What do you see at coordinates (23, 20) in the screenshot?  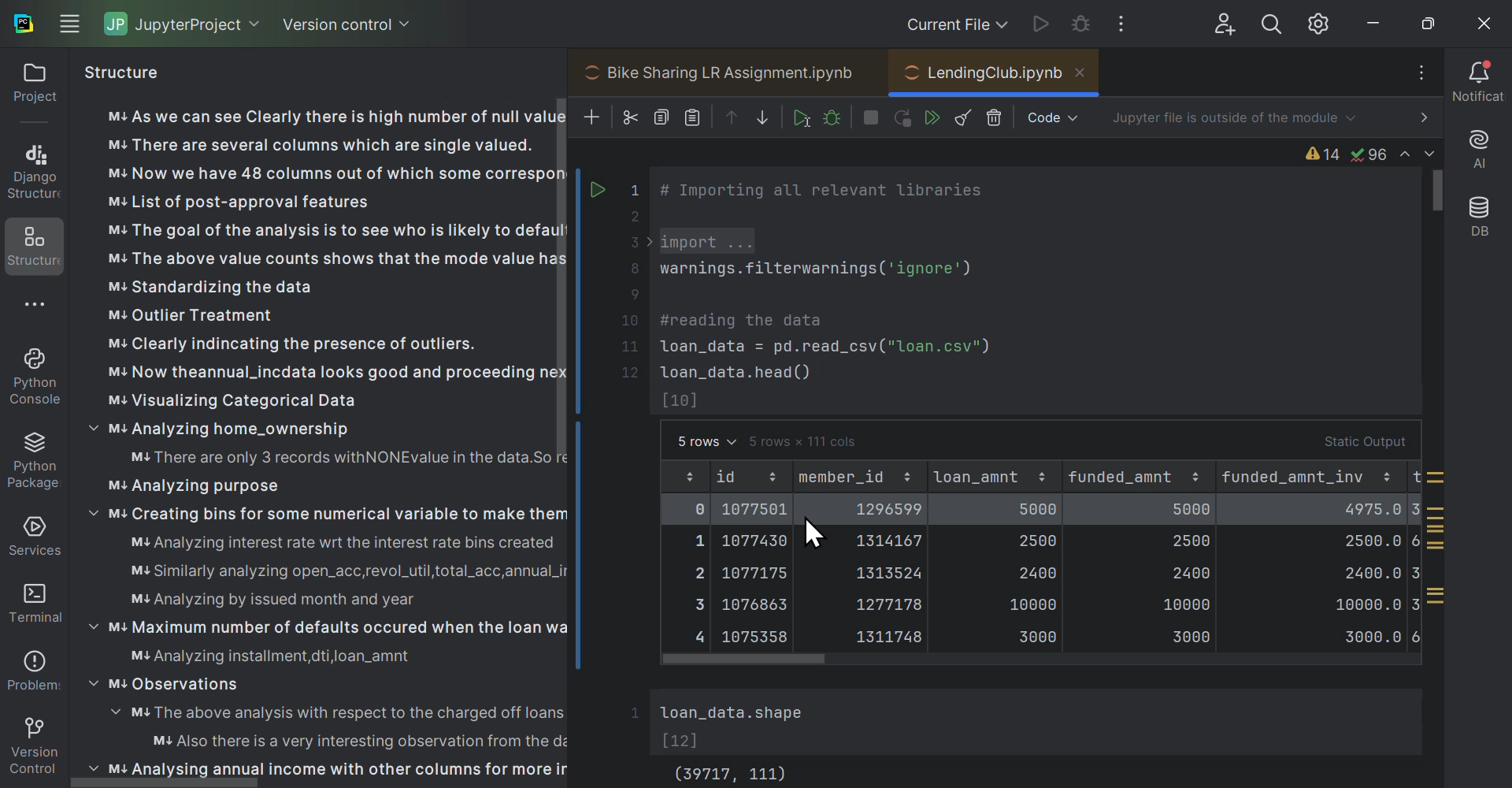 I see `auchar` at bounding box center [23, 20].